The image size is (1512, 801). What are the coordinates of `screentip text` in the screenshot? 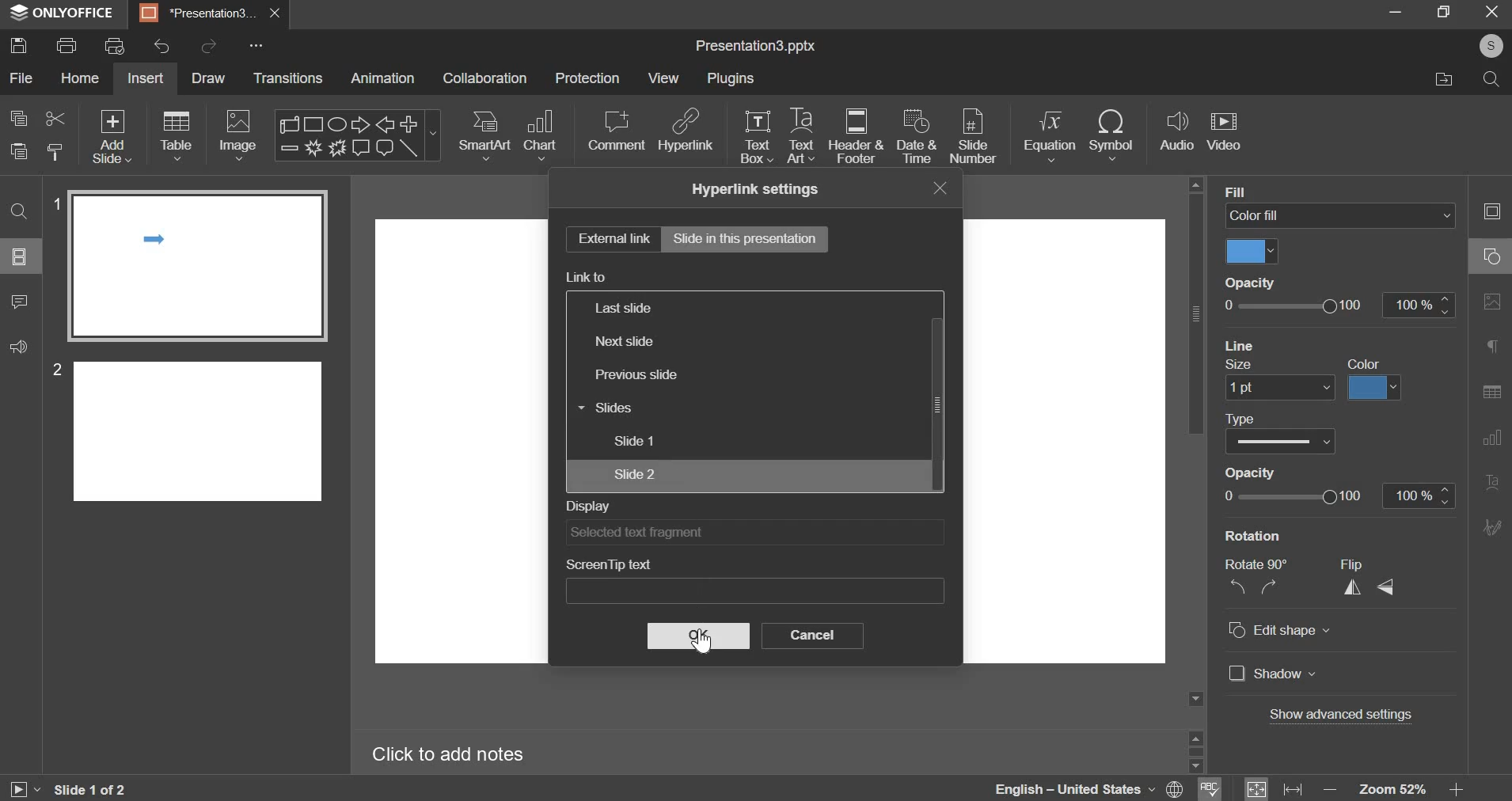 It's located at (608, 564).